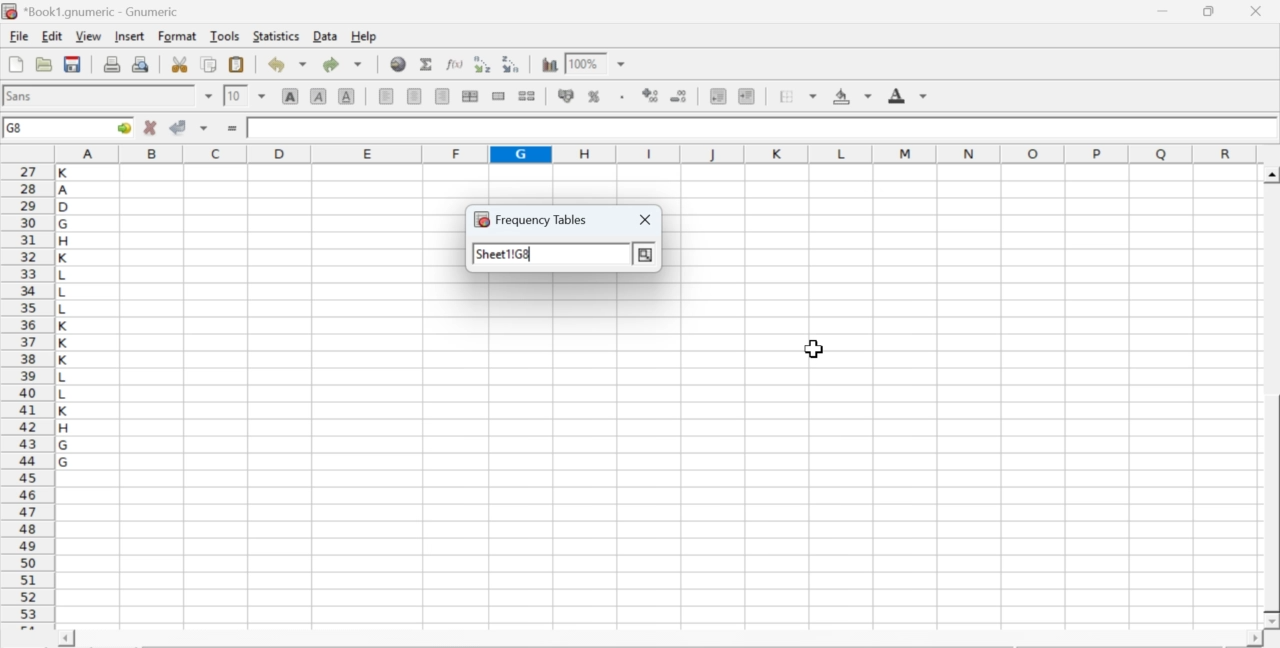 The image size is (1280, 648). What do you see at coordinates (15, 64) in the screenshot?
I see `new` at bounding box center [15, 64].